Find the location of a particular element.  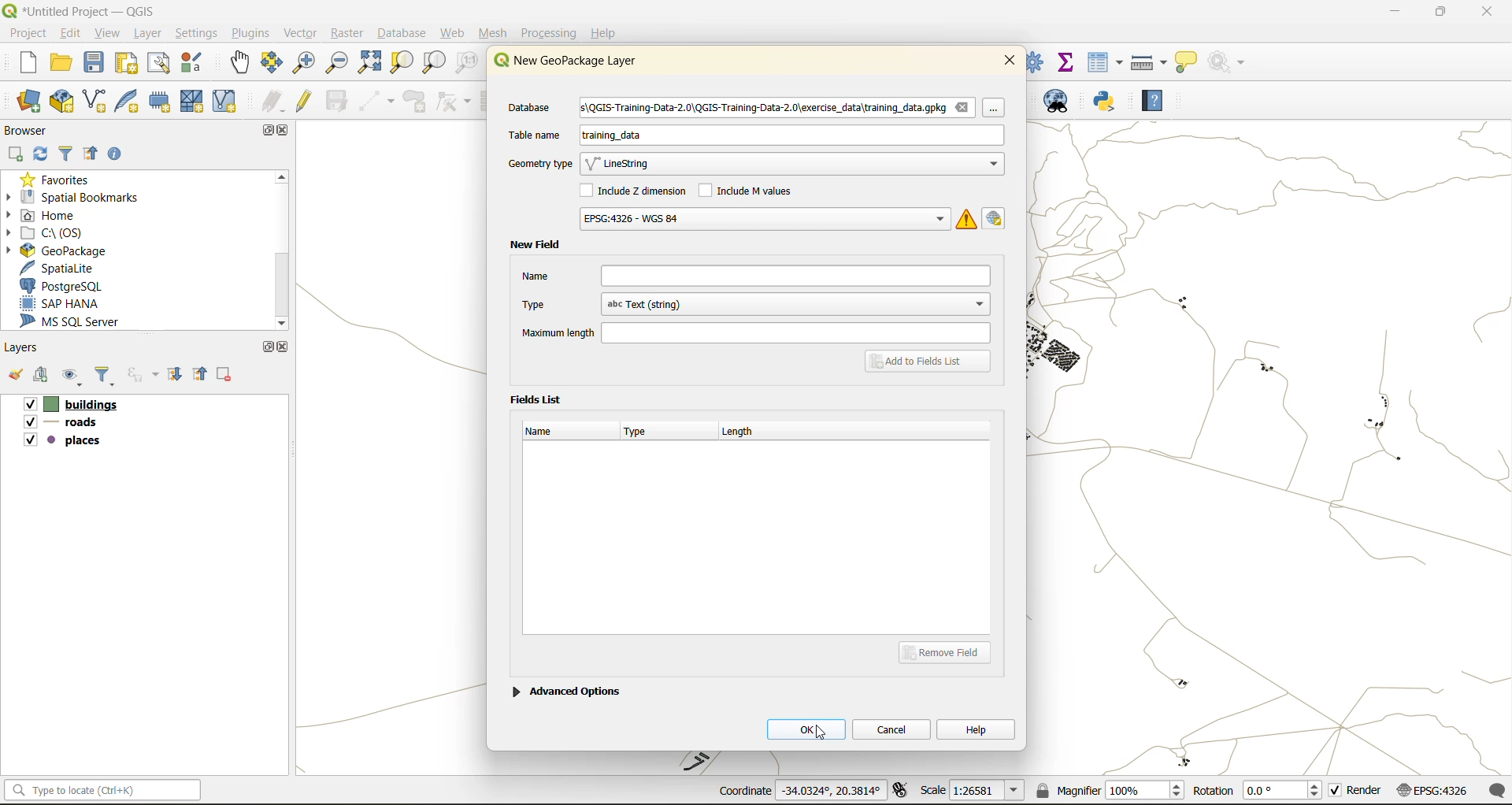

ms sql server is located at coordinates (80, 324).